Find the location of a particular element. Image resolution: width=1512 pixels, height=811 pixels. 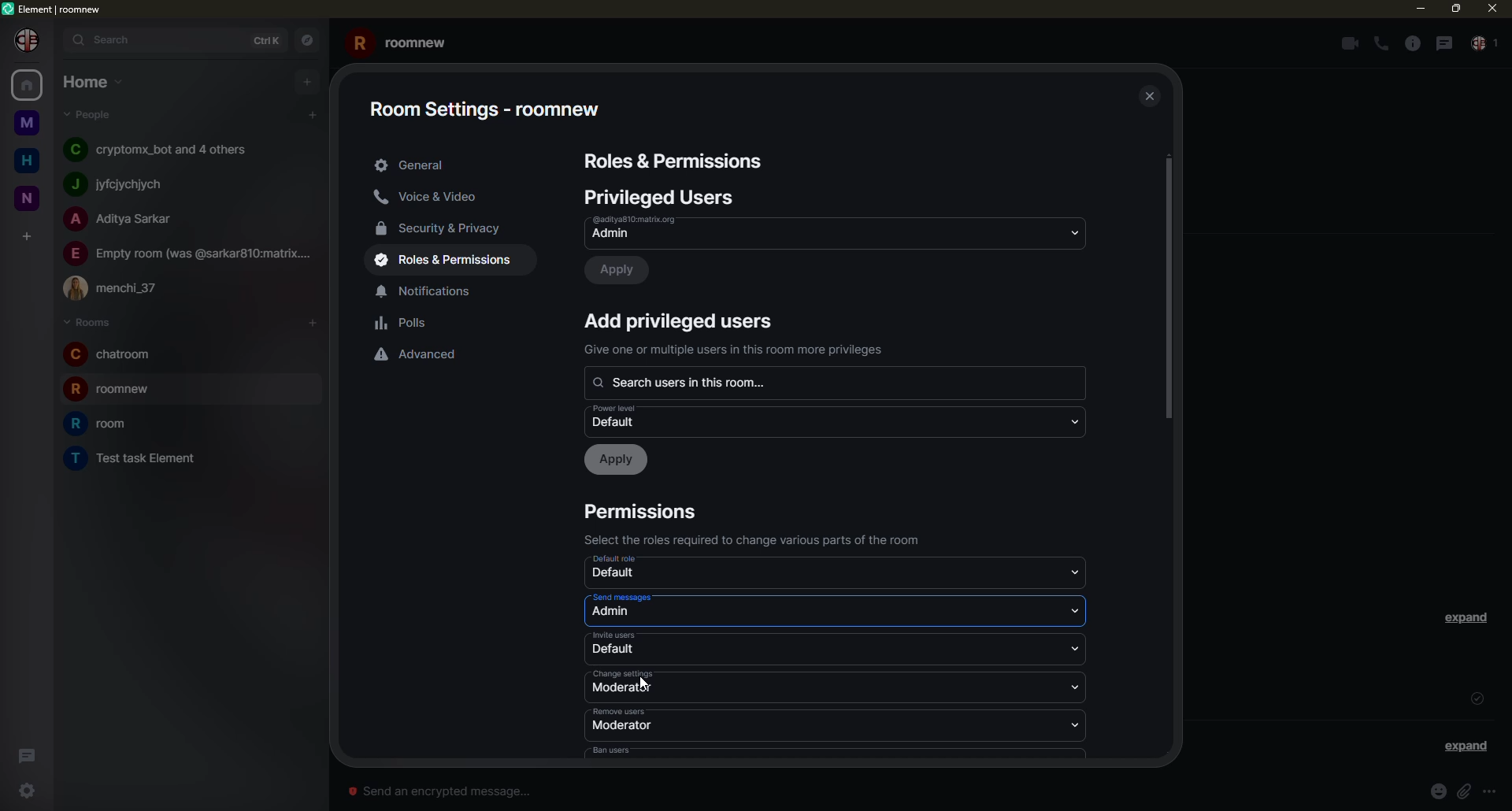

permissions is located at coordinates (645, 512).